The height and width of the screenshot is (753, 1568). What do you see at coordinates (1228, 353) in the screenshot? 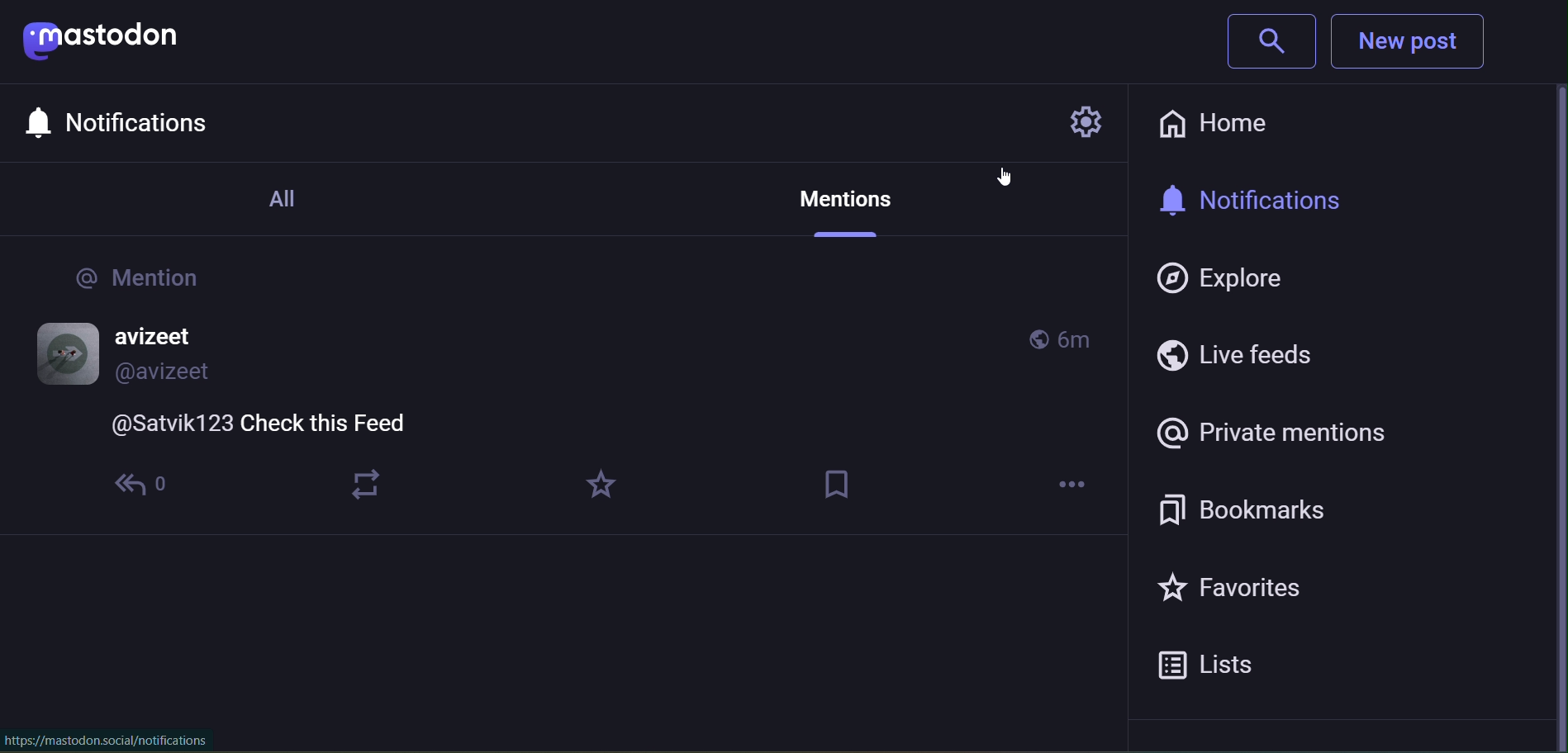
I see `Live Feeds` at bounding box center [1228, 353].